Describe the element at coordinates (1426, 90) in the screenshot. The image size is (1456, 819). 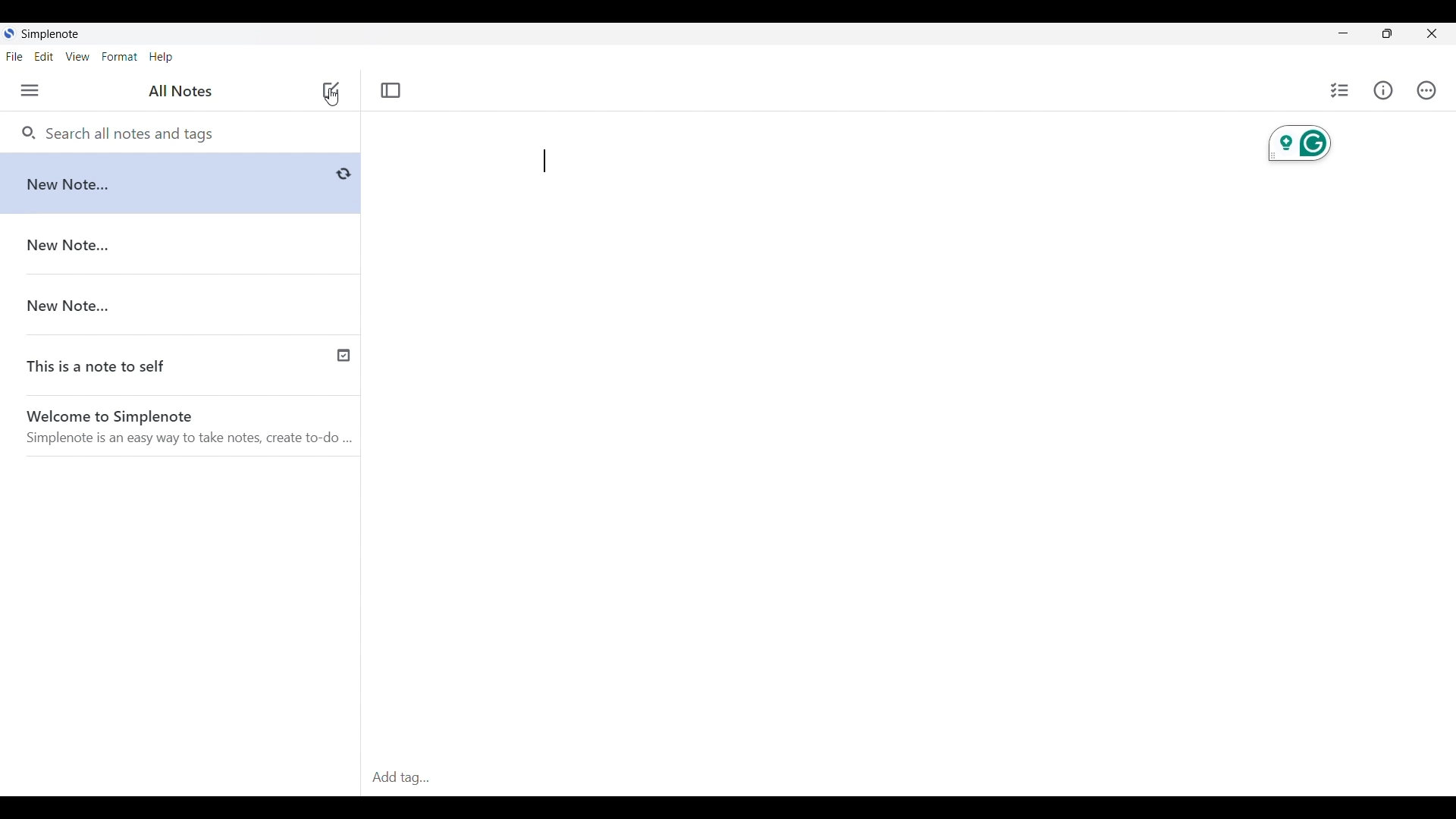
I see `Actions` at that location.